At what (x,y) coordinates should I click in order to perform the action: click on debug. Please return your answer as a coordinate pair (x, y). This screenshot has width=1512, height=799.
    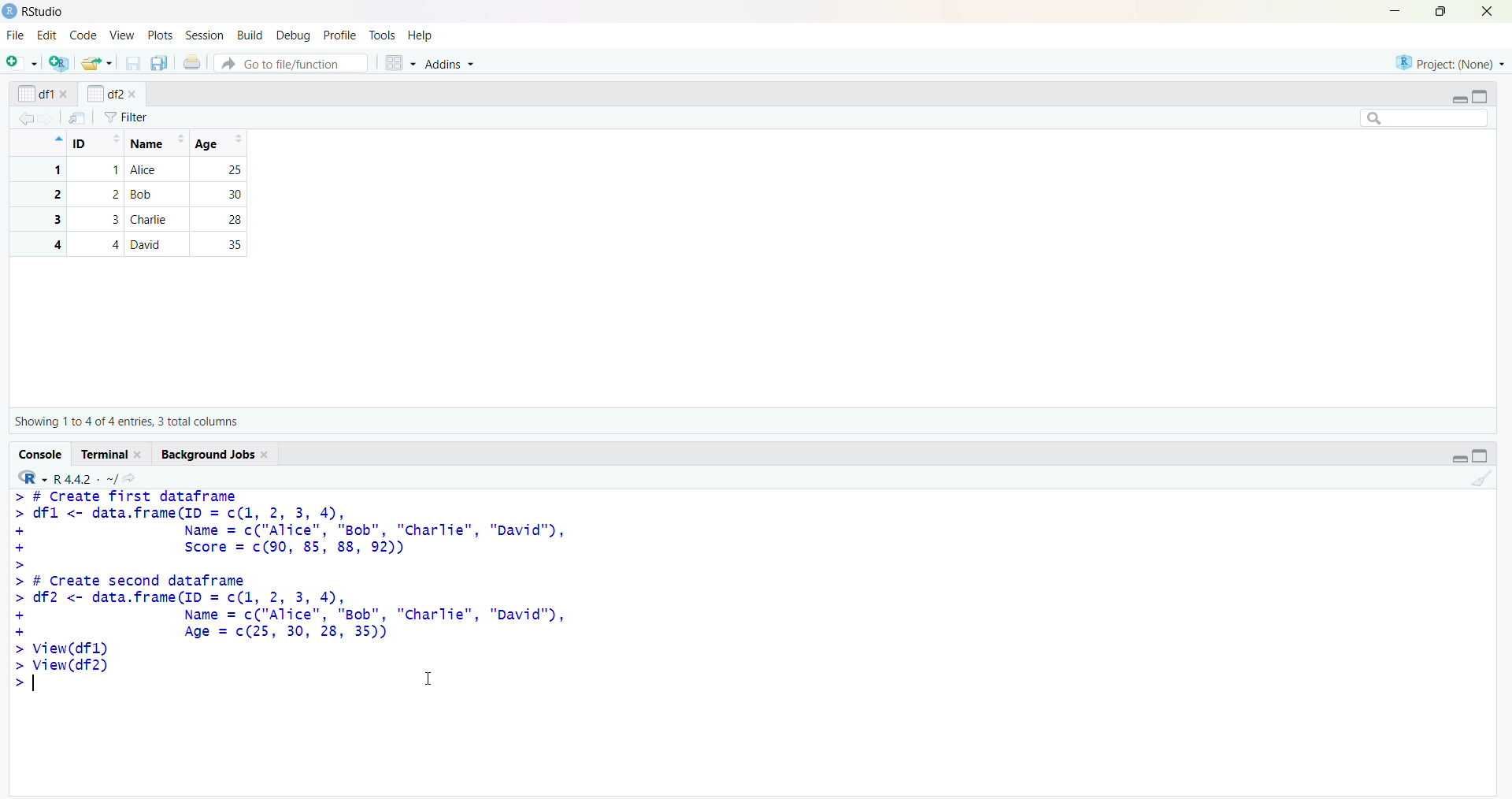
    Looking at the image, I should click on (295, 36).